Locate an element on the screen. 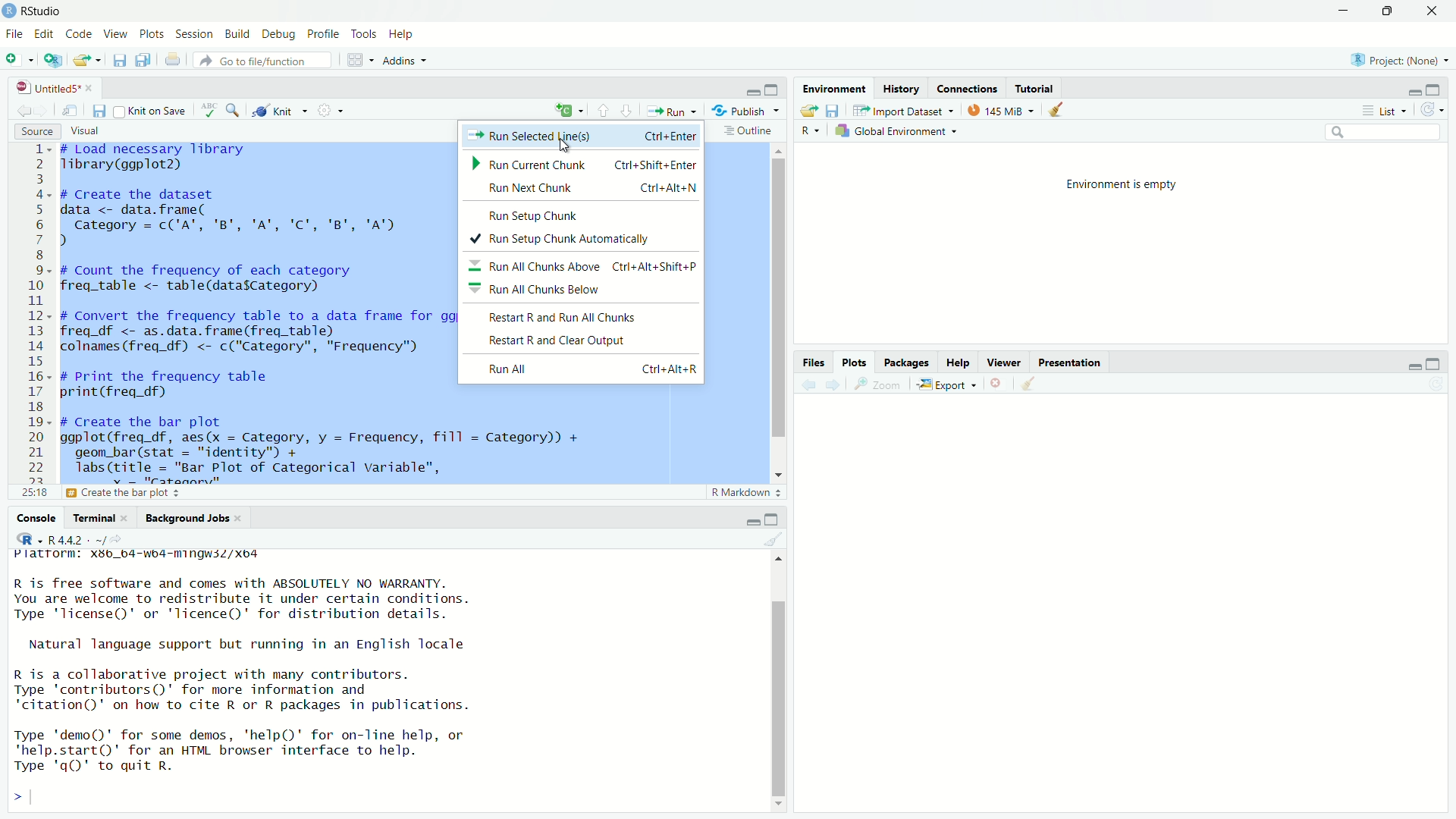 This screenshot has height=819, width=1456. profile is located at coordinates (322, 34).